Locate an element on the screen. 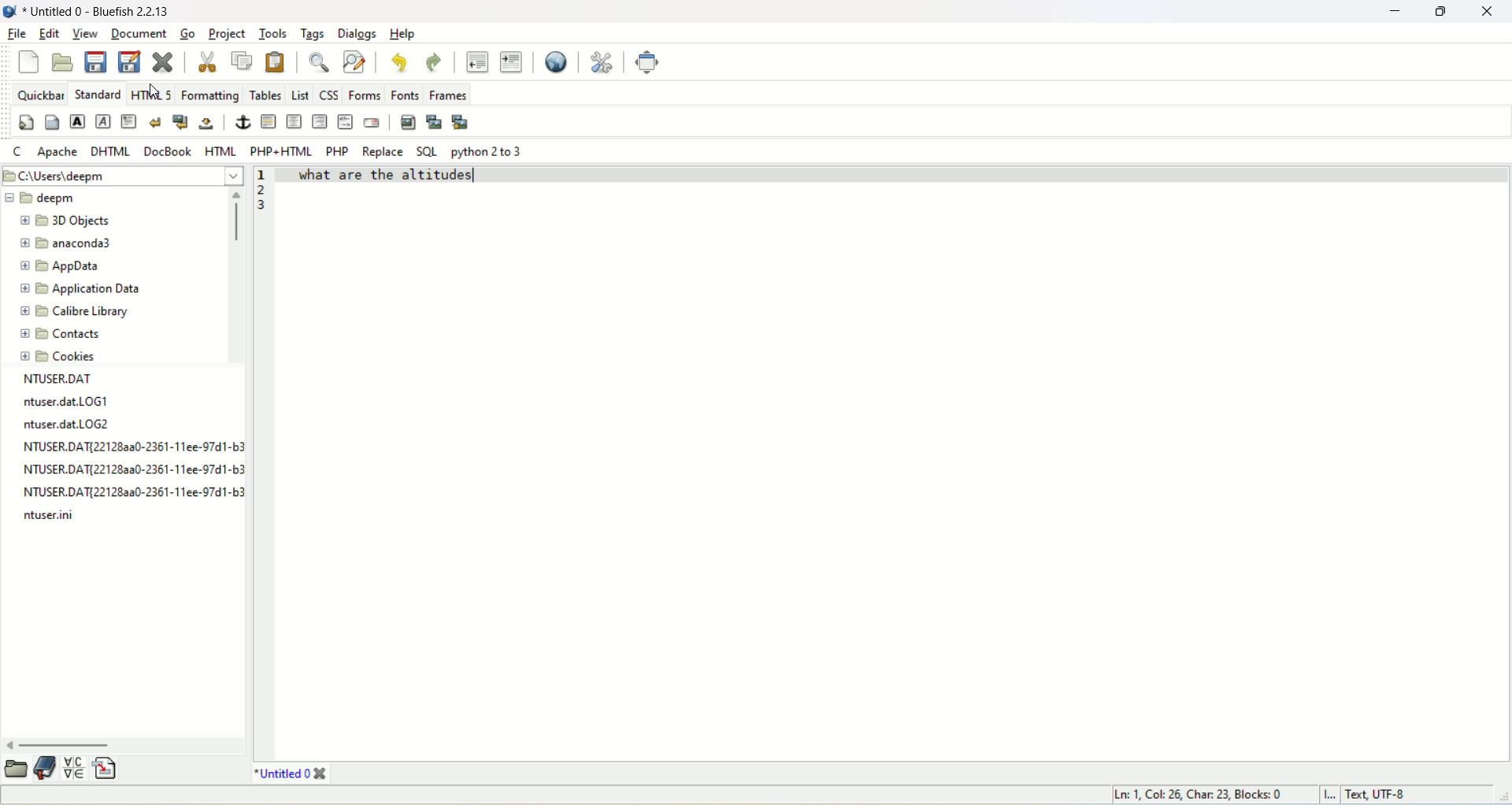 This screenshot has height=805, width=1512. edit preferences is located at coordinates (598, 59).